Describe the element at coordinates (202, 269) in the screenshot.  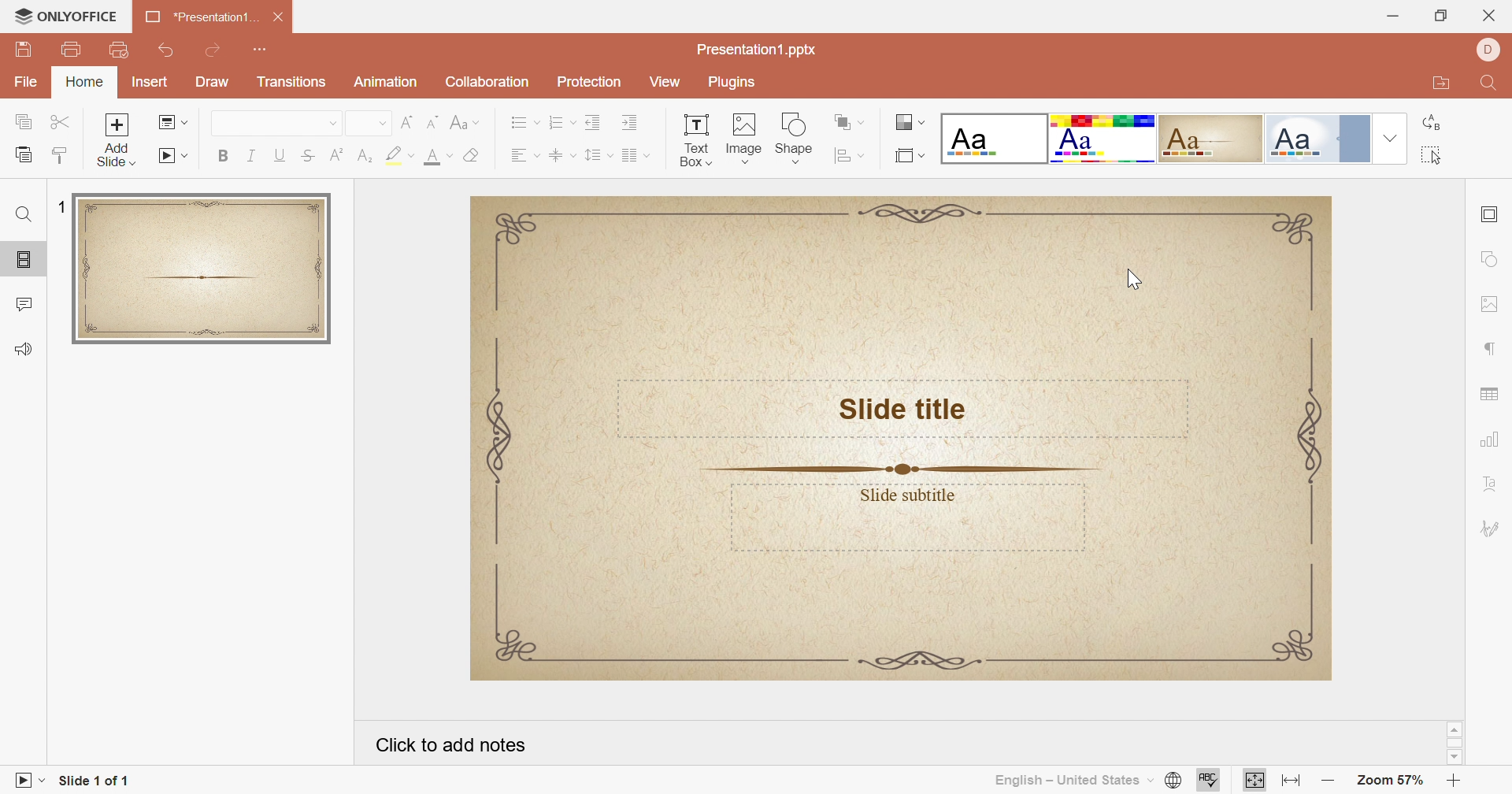
I see `Slide 1` at that location.